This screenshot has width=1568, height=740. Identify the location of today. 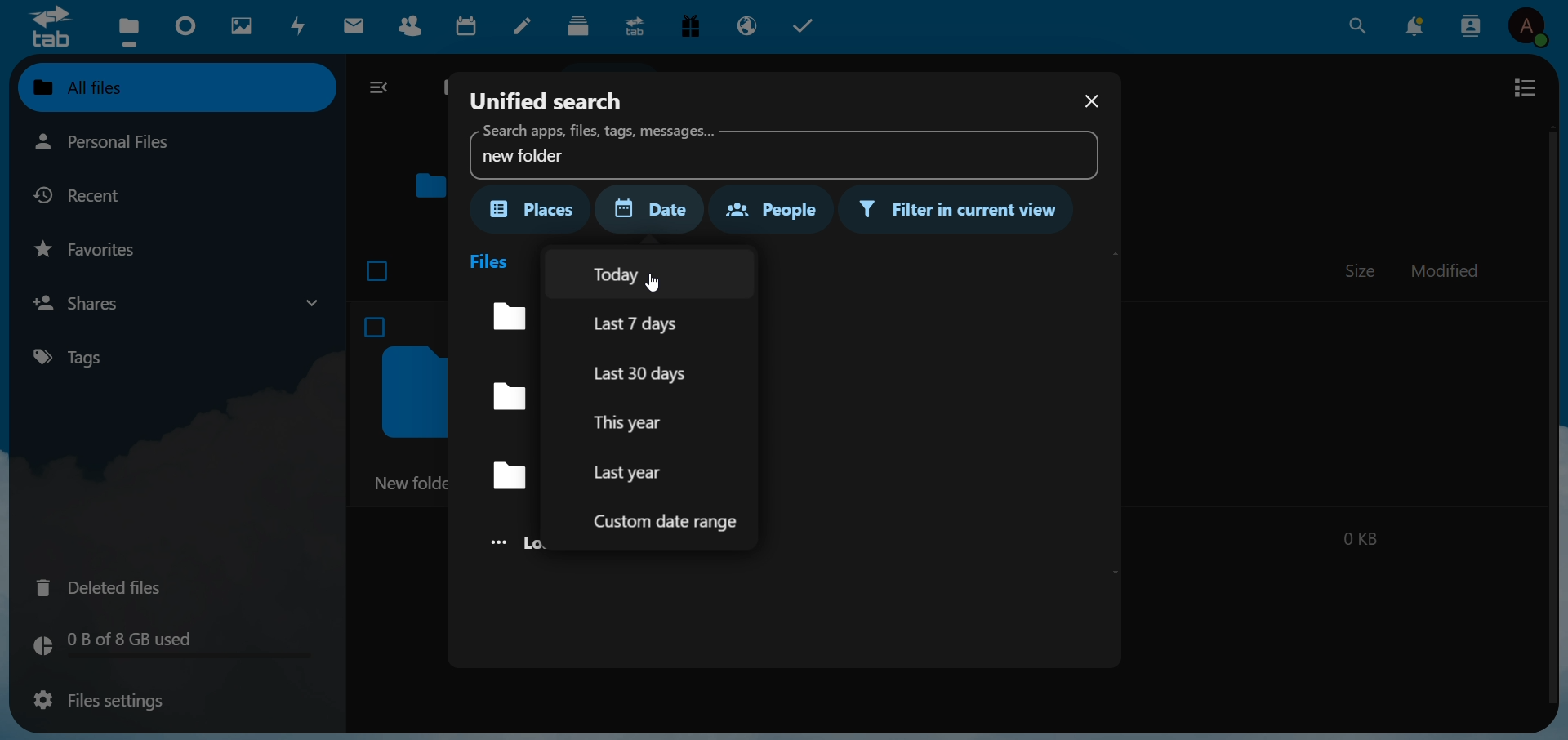
(633, 274).